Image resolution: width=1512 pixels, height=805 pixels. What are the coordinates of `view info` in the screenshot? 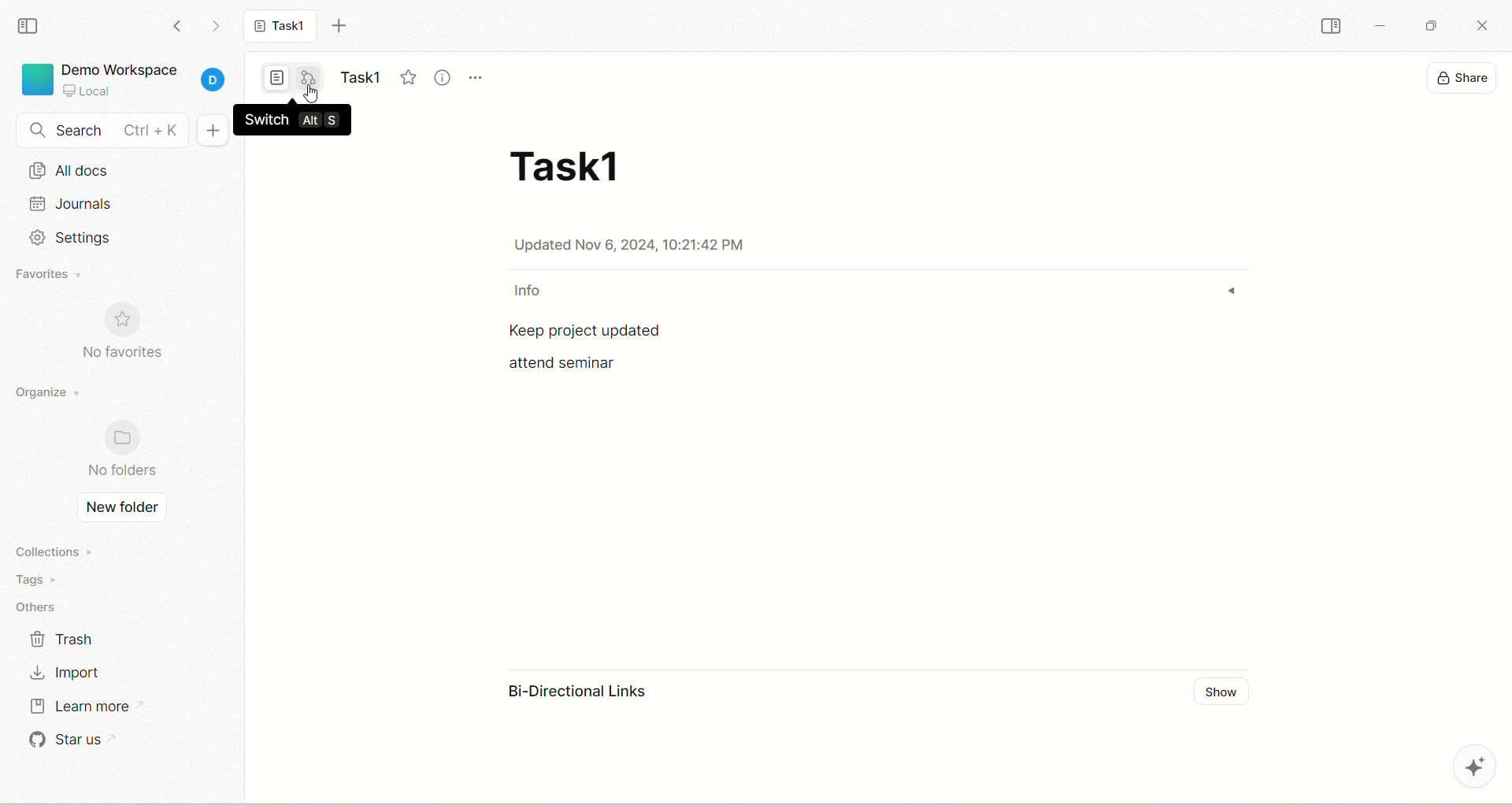 It's located at (440, 76).